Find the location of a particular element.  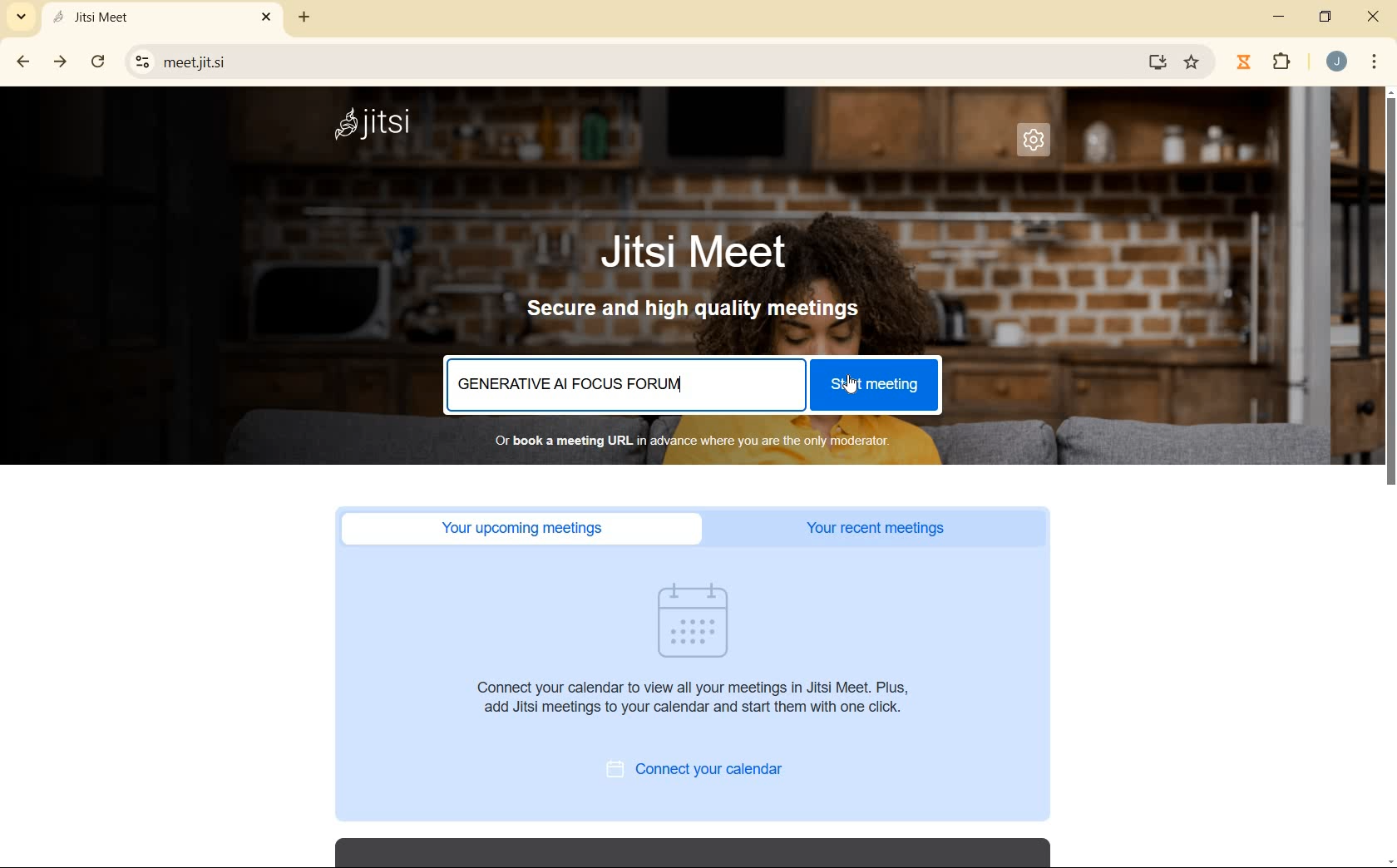

cursor is located at coordinates (852, 384).